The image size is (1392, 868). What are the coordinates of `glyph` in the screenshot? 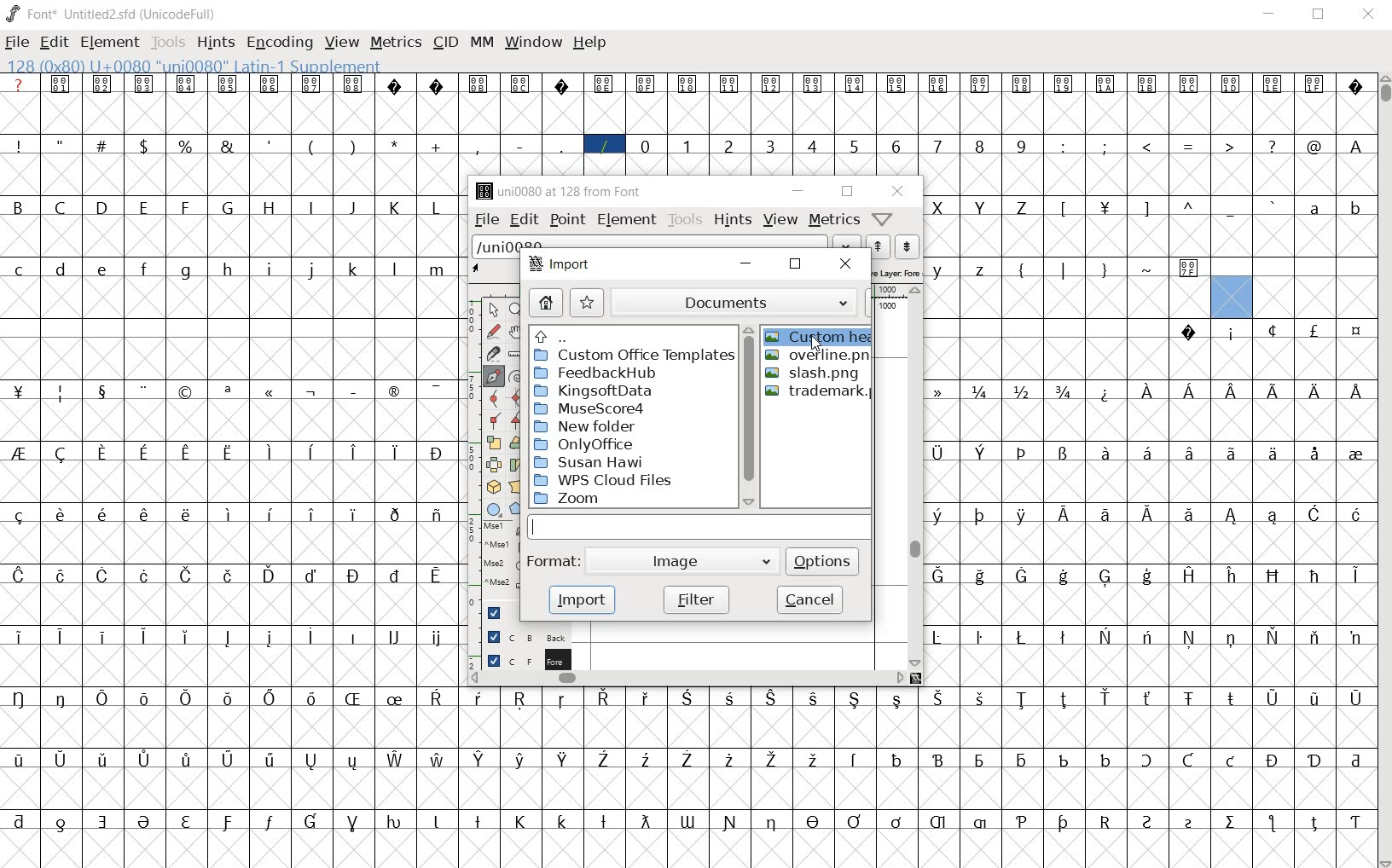 It's located at (394, 576).